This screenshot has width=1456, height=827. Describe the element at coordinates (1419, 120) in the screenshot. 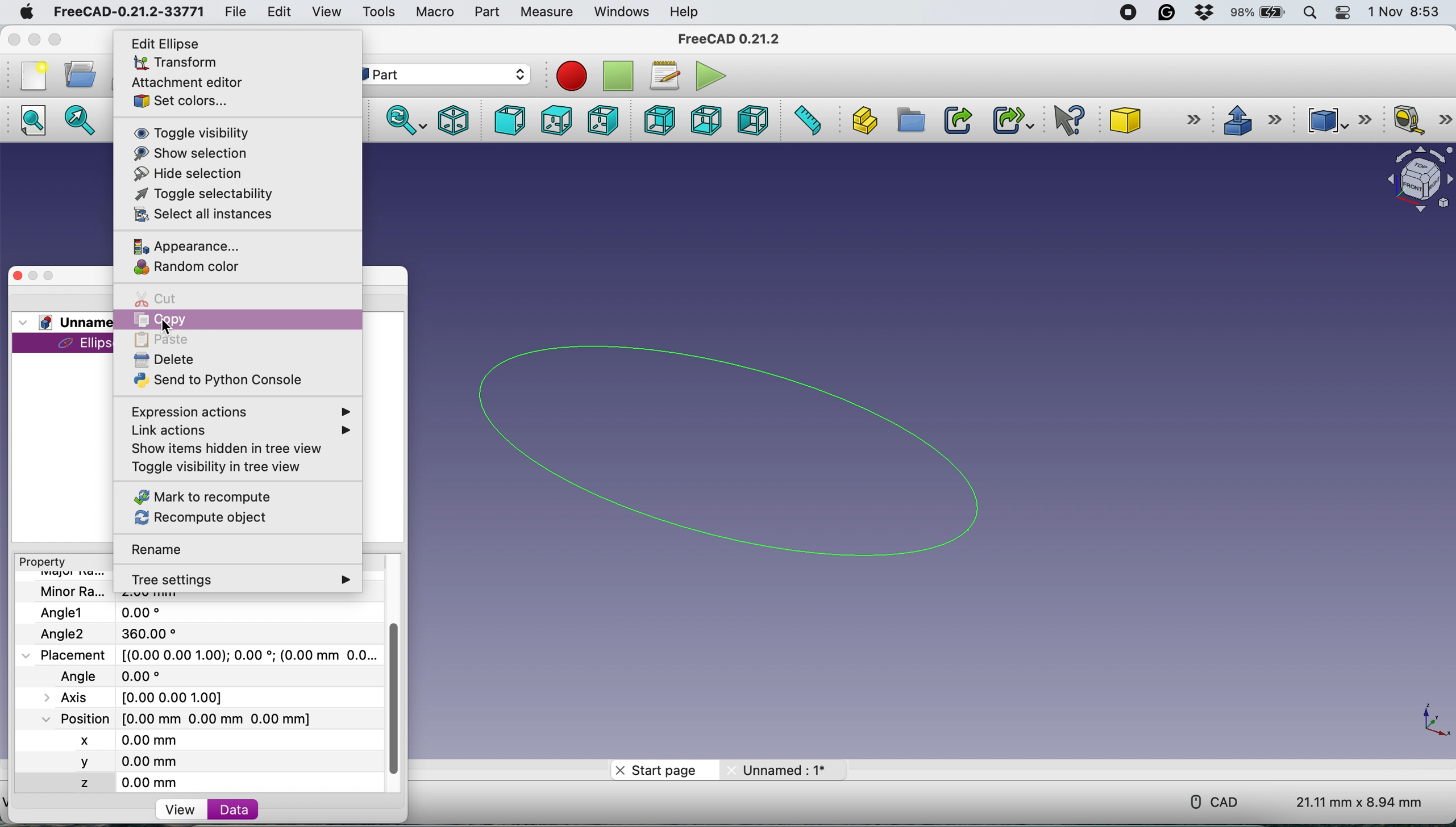

I see `measure linear` at that location.